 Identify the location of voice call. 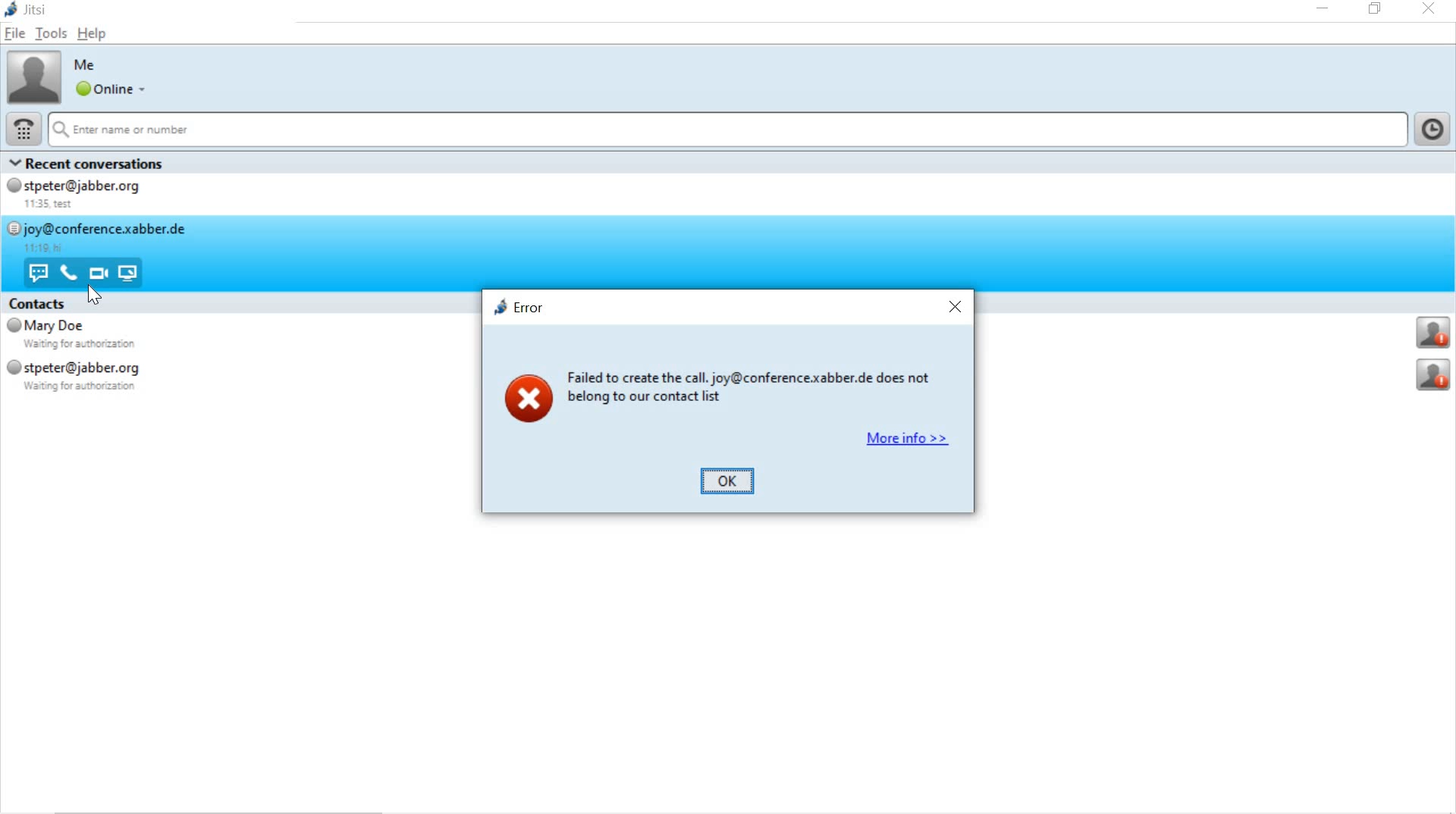
(67, 274).